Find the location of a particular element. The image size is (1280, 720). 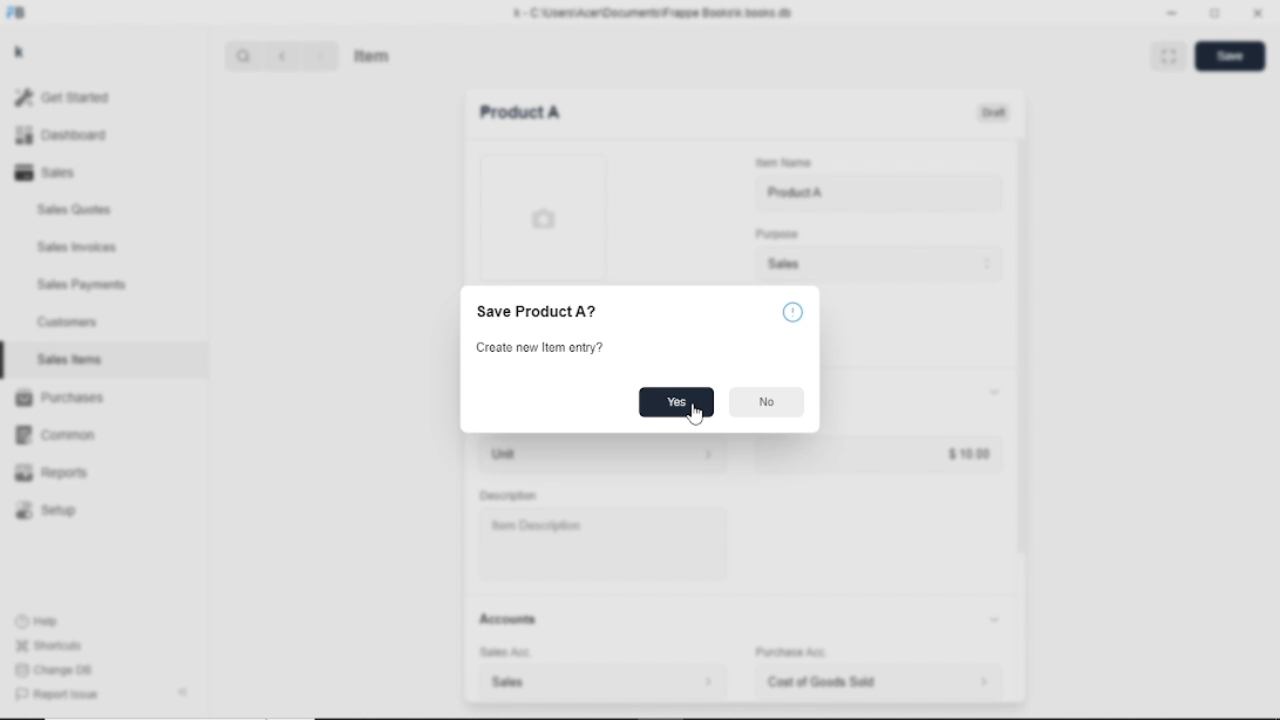

Product A is located at coordinates (795, 193).